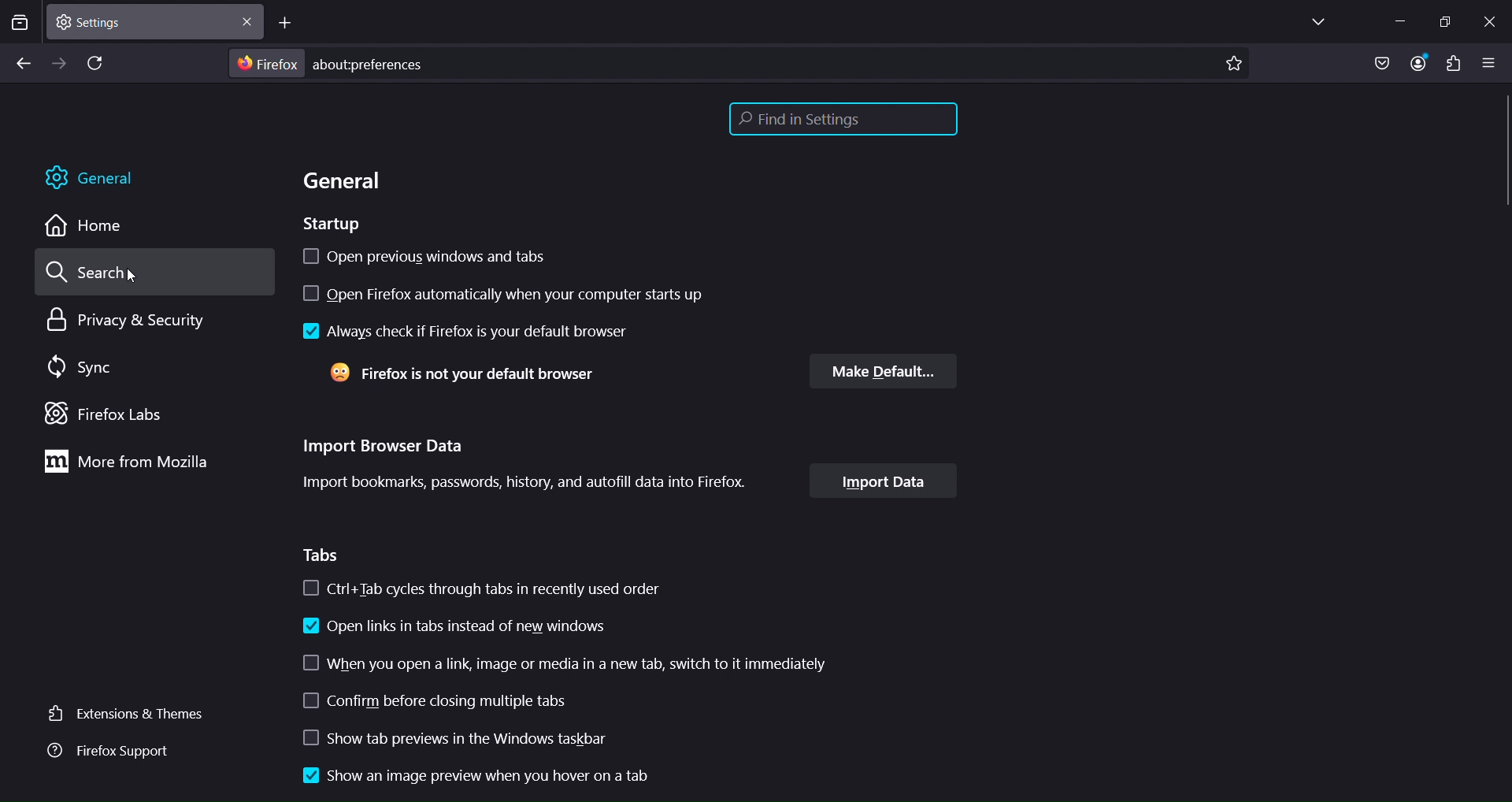 This screenshot has width=1512, height=802. Describe the element at coordinates (106, 412) in the screenshot. I see `firefox labs` at that location.